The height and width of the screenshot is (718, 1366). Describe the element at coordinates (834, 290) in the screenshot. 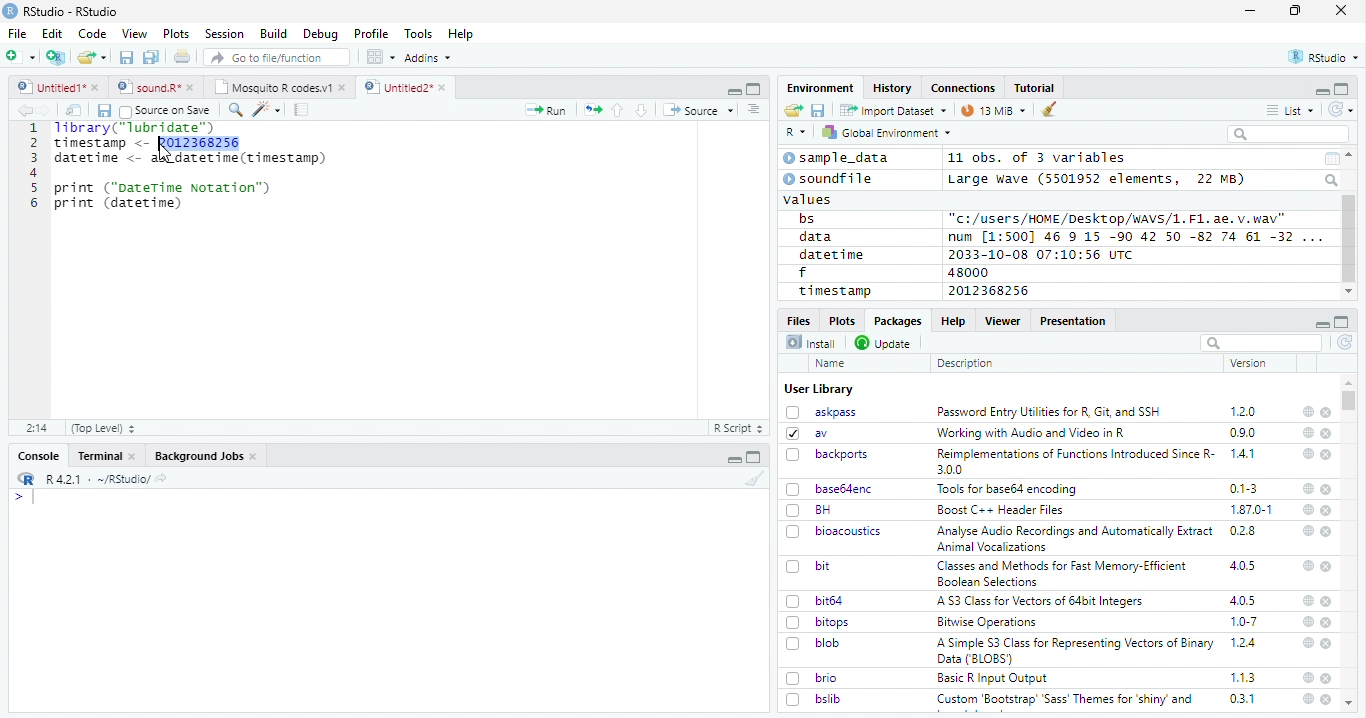

I see `timestamp` at that location.